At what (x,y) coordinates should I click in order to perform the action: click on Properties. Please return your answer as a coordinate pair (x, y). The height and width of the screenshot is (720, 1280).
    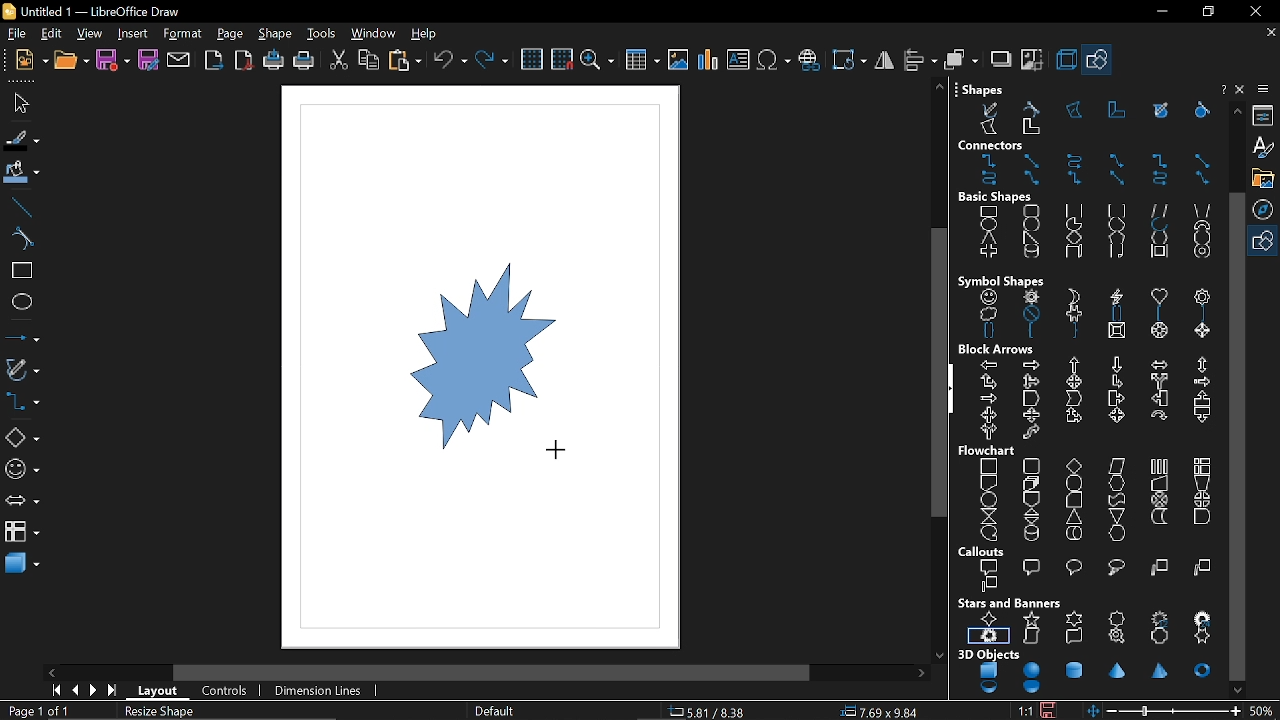
    Looking at the image, I should click on (1265, 114).